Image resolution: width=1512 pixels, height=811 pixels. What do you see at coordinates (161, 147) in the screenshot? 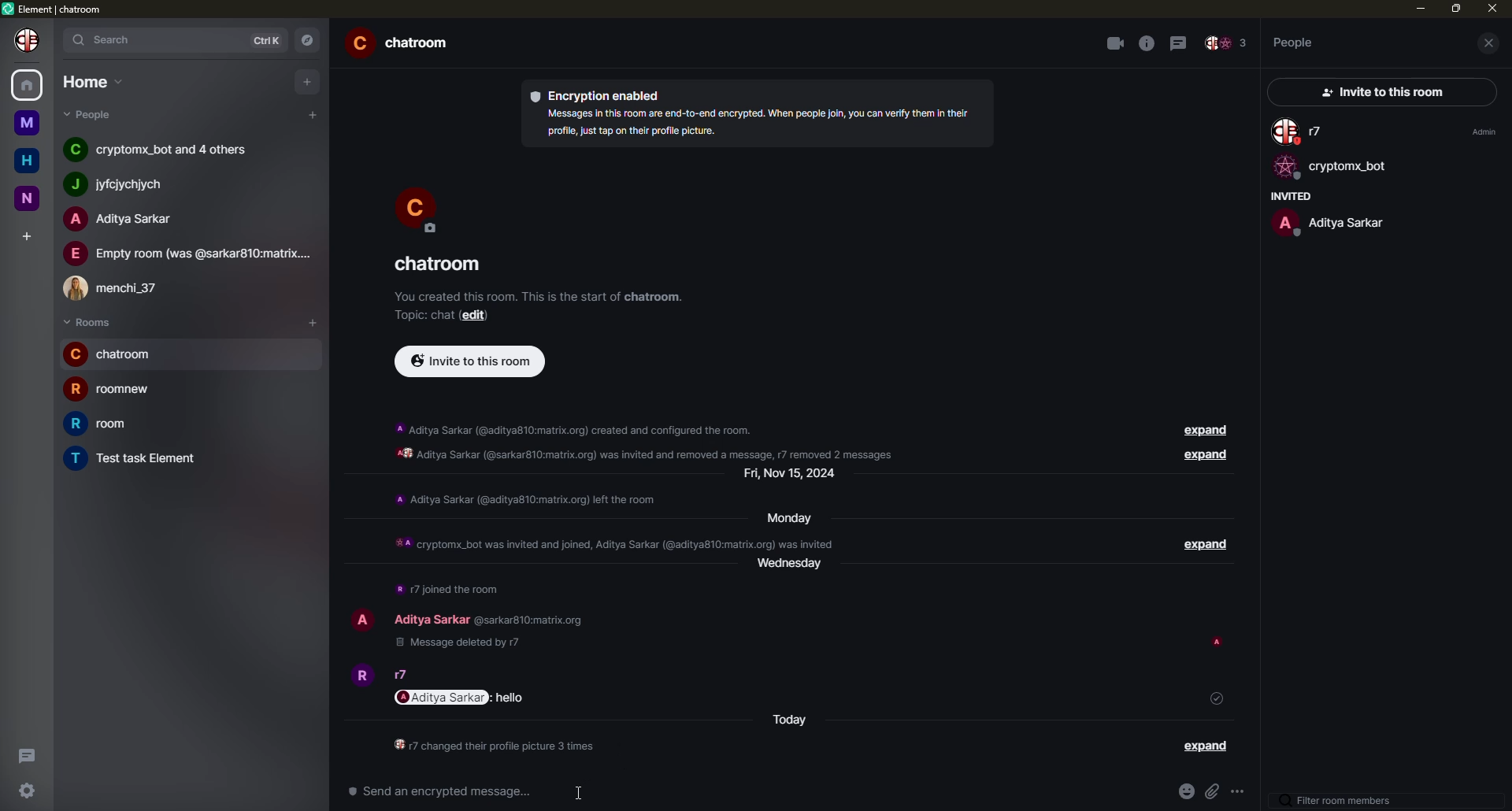
I see `people` at bounding box center [161, 147].